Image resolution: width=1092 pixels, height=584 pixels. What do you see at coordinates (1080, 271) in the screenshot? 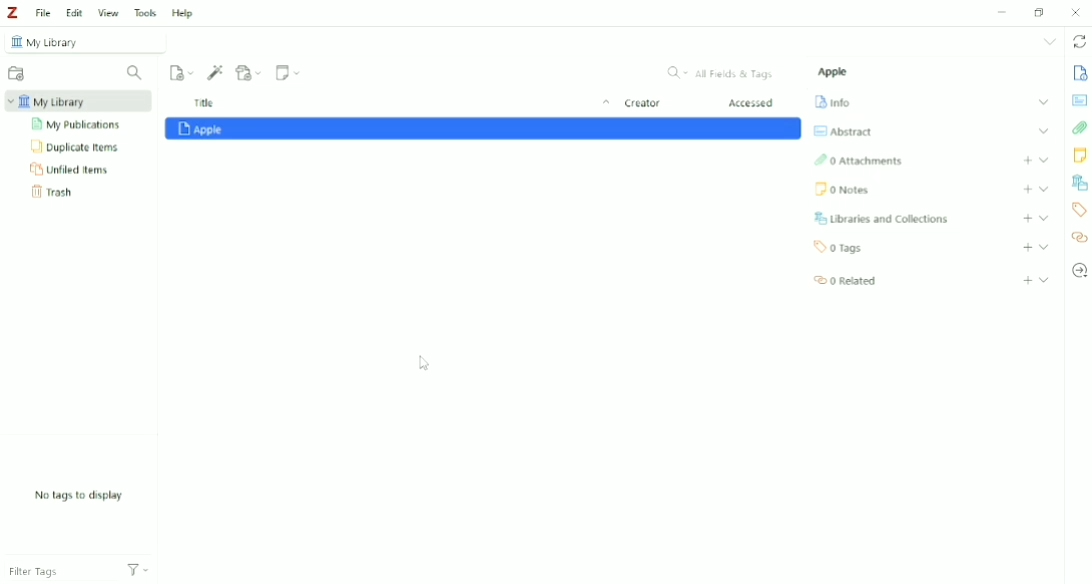
I see `Locate` at bounding box center [1080, 271].